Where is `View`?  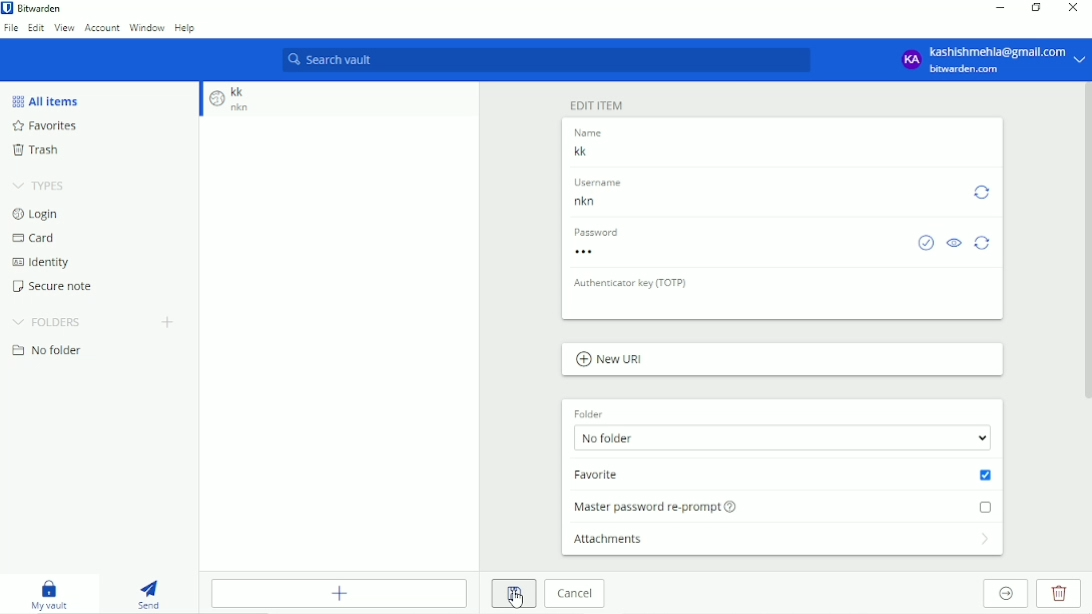 View is located at coordinates (64, 28).